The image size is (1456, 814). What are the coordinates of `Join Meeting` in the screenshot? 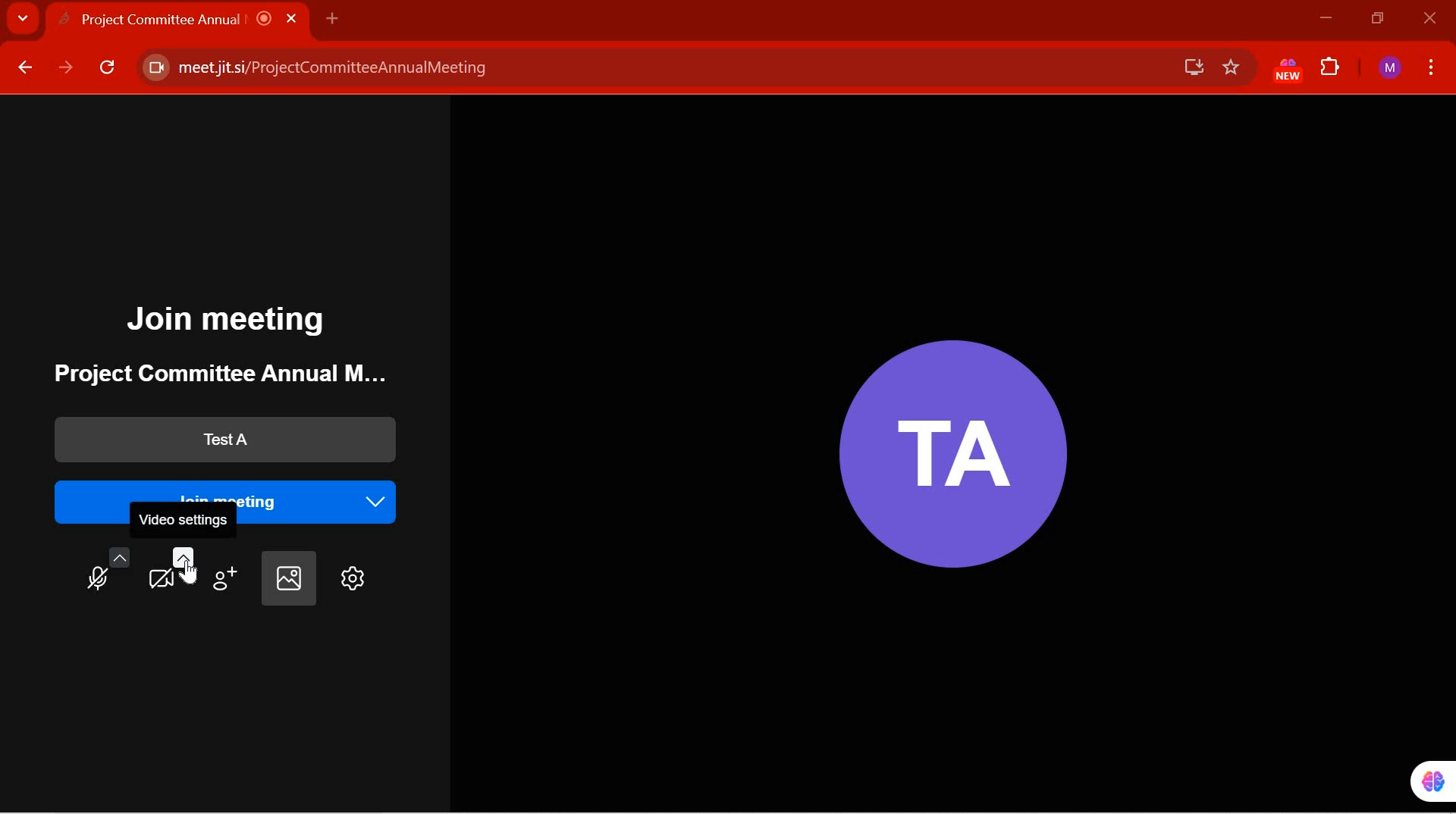 It's located at (231, 321).